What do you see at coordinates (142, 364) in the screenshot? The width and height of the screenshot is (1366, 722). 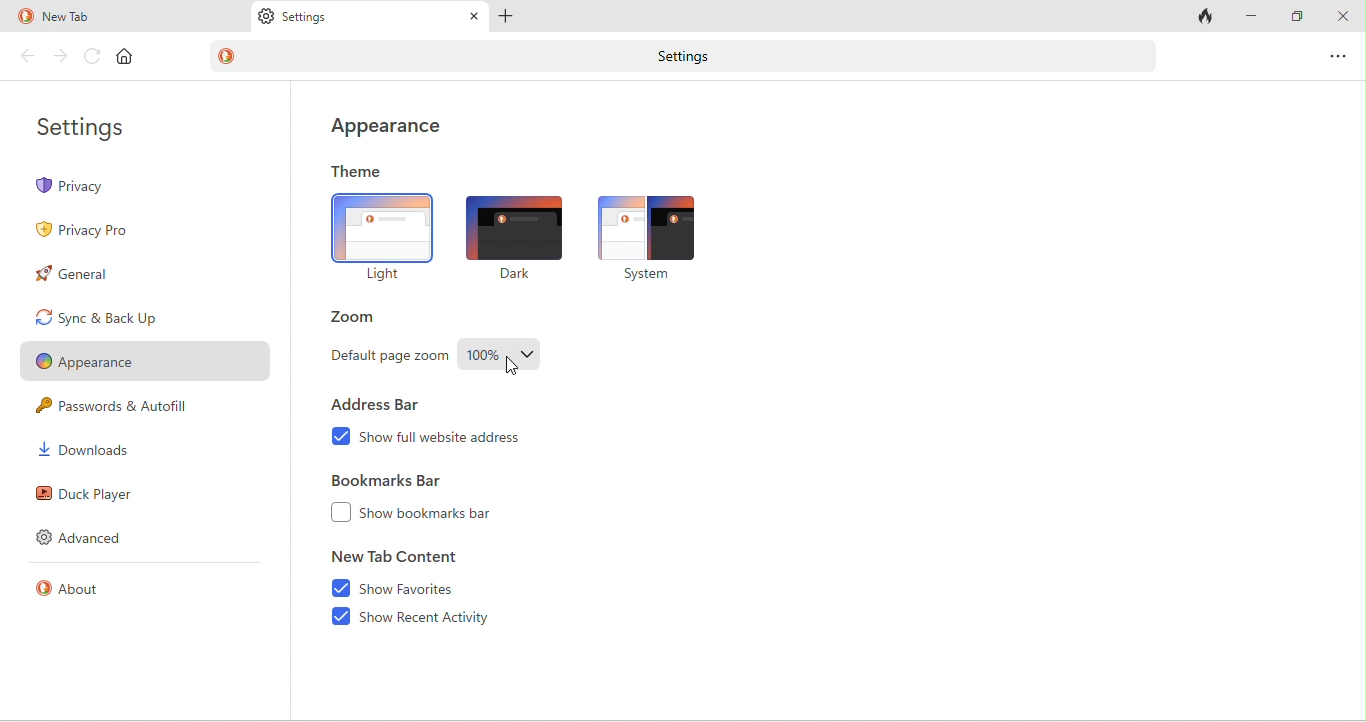 I see `appearance` at bounding box center [142, 364].